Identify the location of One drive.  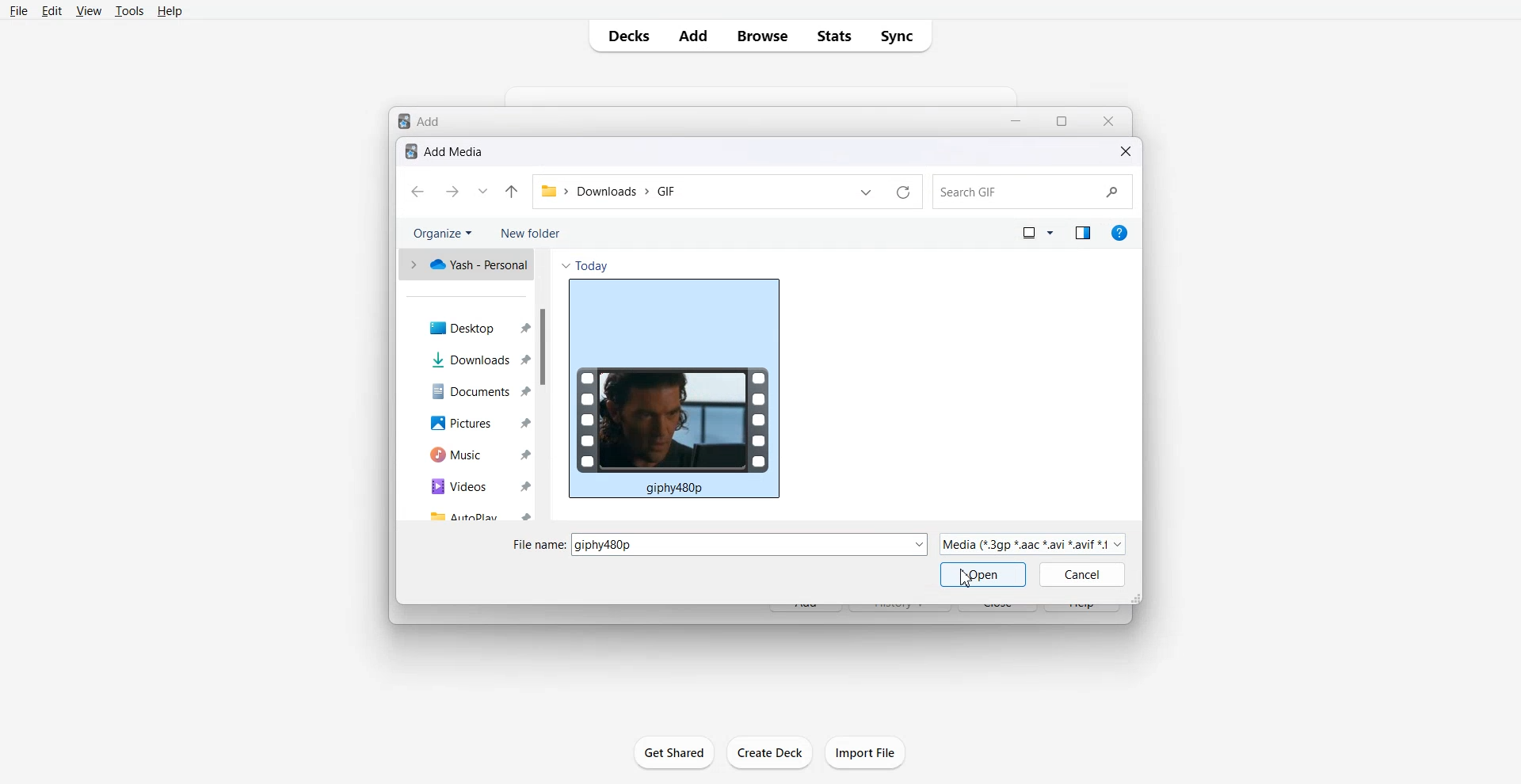
(464, 265).